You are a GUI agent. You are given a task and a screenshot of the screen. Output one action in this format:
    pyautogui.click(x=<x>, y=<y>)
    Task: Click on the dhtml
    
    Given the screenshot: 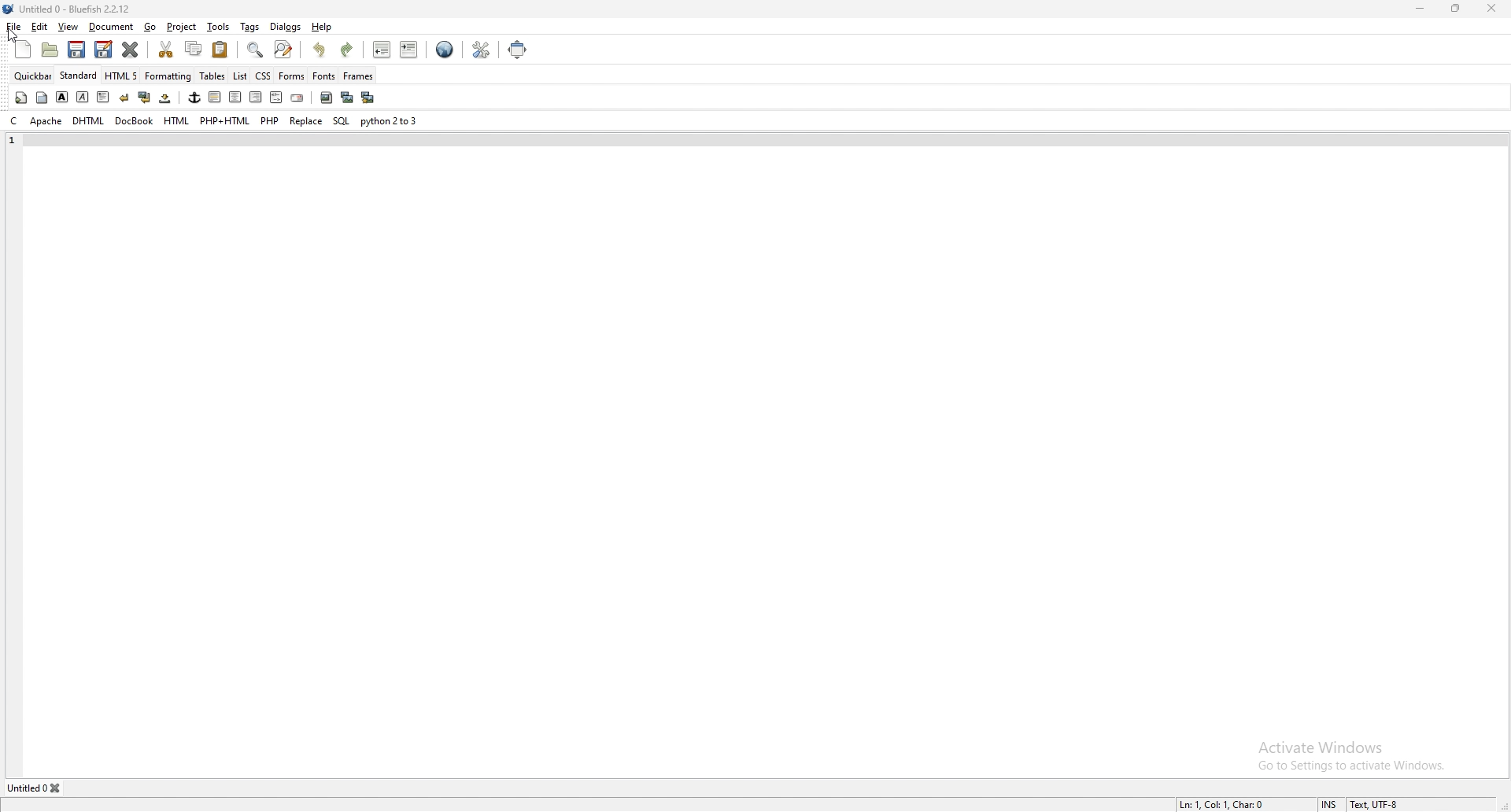 What is the action you would take?
    pyautogui.click(x=90, y=120)
    